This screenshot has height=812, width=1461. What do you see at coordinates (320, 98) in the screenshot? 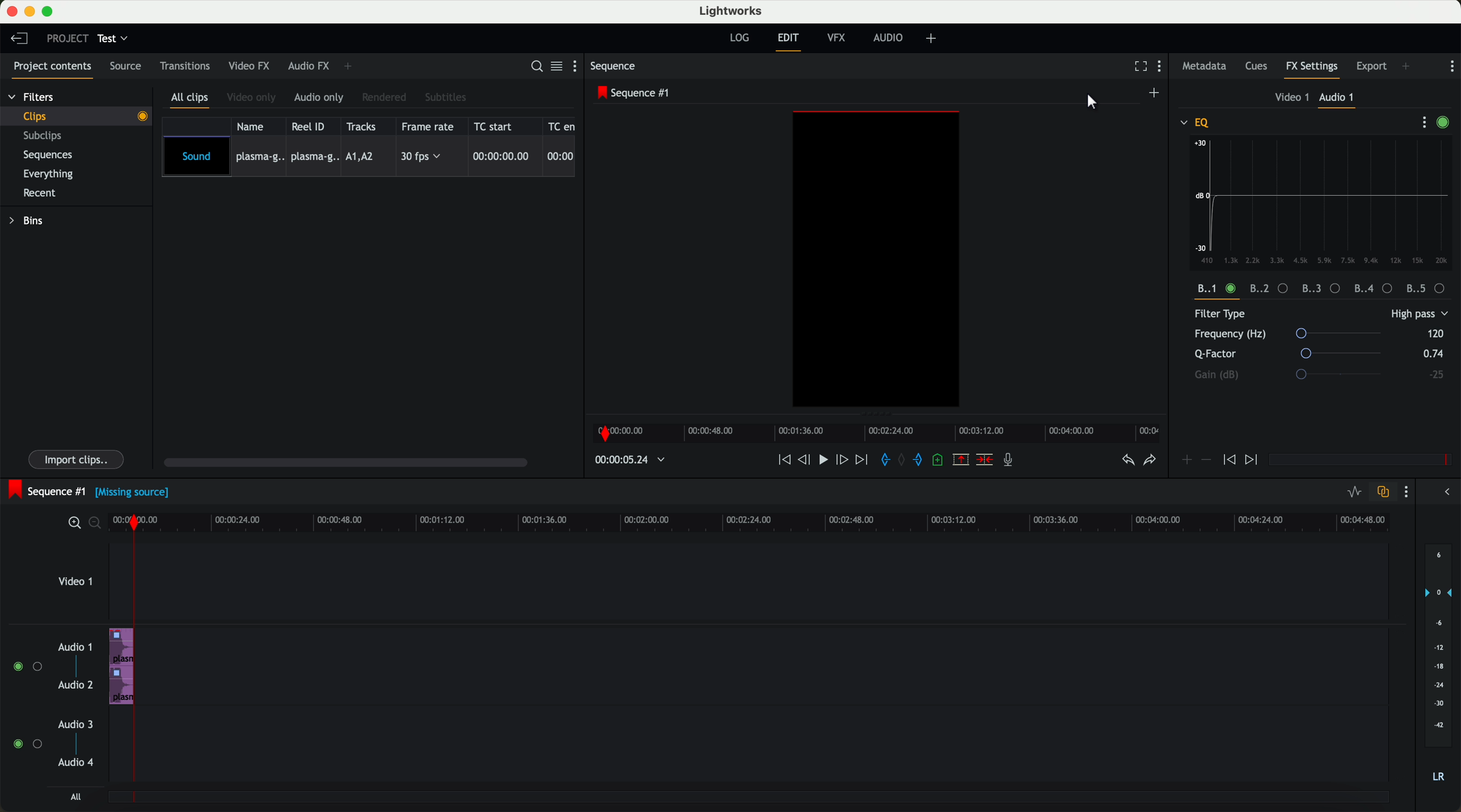
I see `audio only` at bounding box center [320, 98].